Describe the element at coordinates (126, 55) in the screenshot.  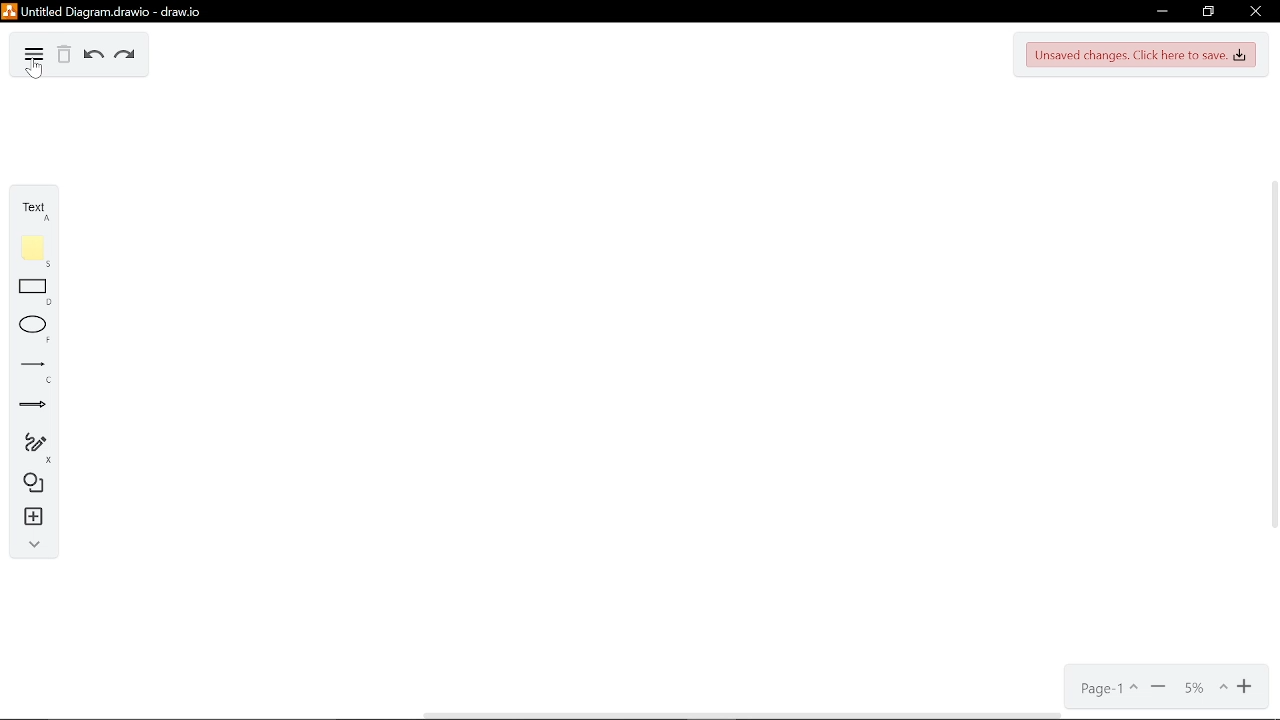
I see `Redo` at that location.